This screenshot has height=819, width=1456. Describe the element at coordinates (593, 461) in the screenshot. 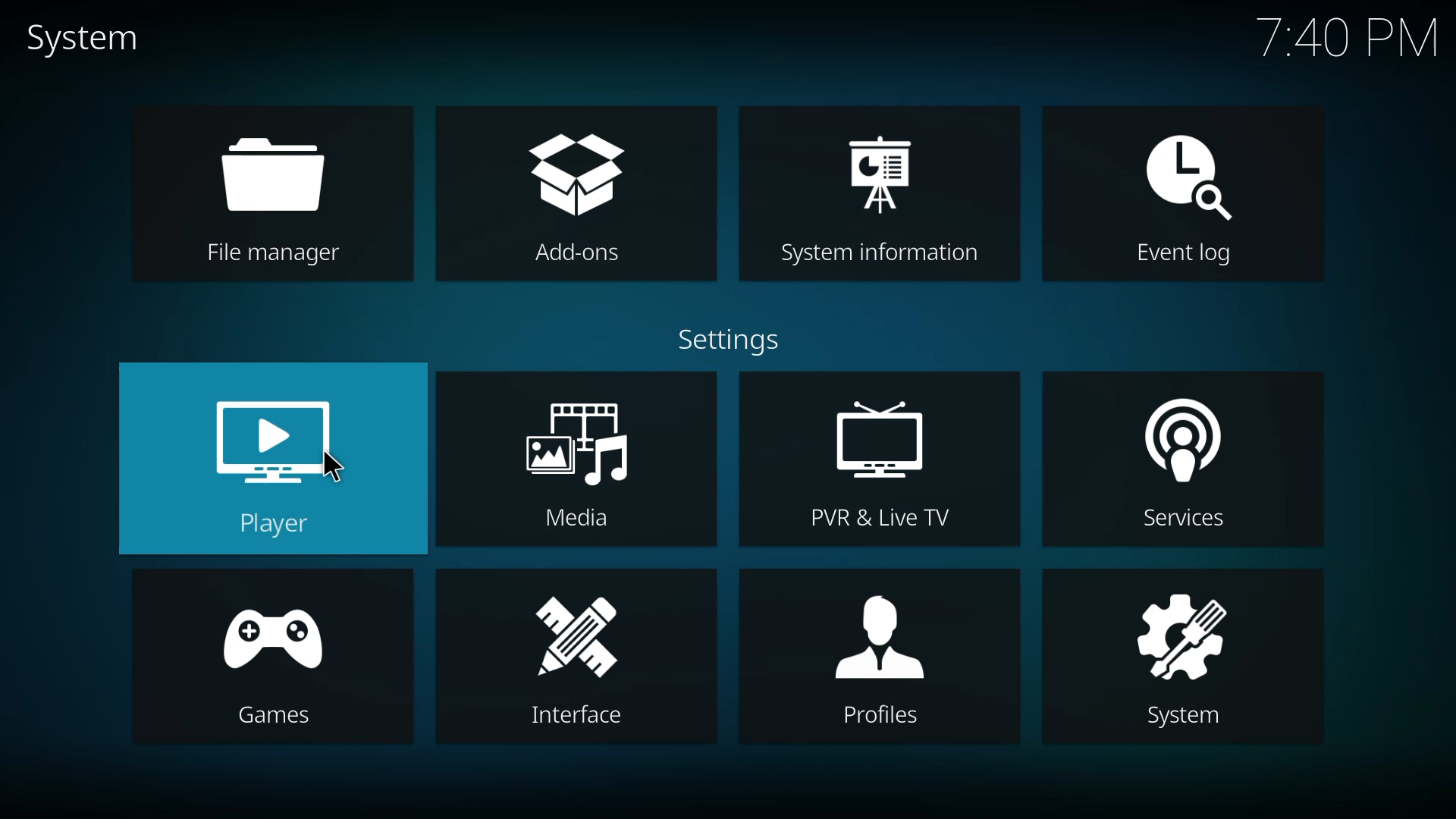

I see `media` at that location.